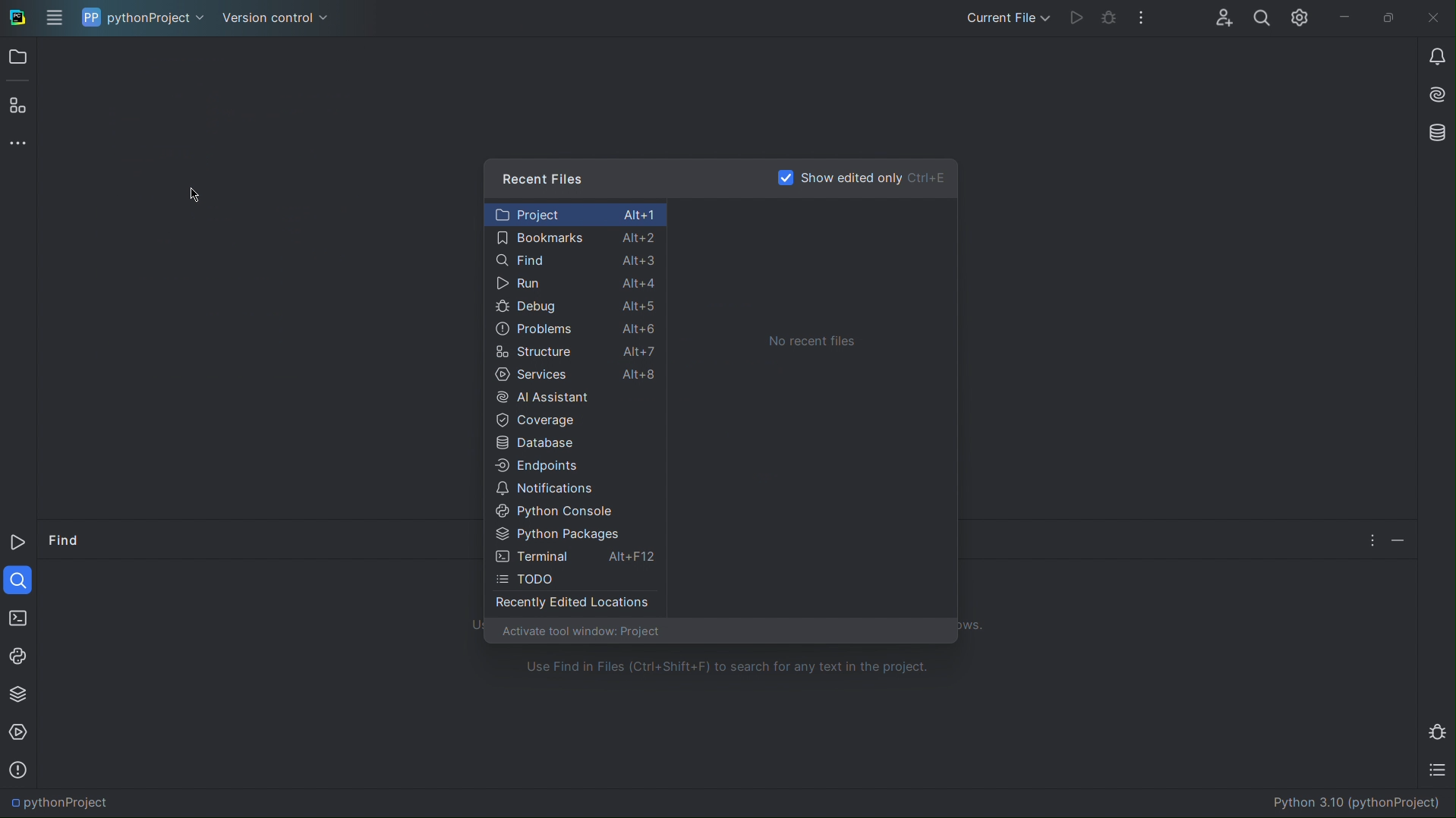 This screenshot has height=818, width=1456. What do you see at coordinates (1369, 538) in the screenshot?
I see `More` at bounding box center [1369, 538].